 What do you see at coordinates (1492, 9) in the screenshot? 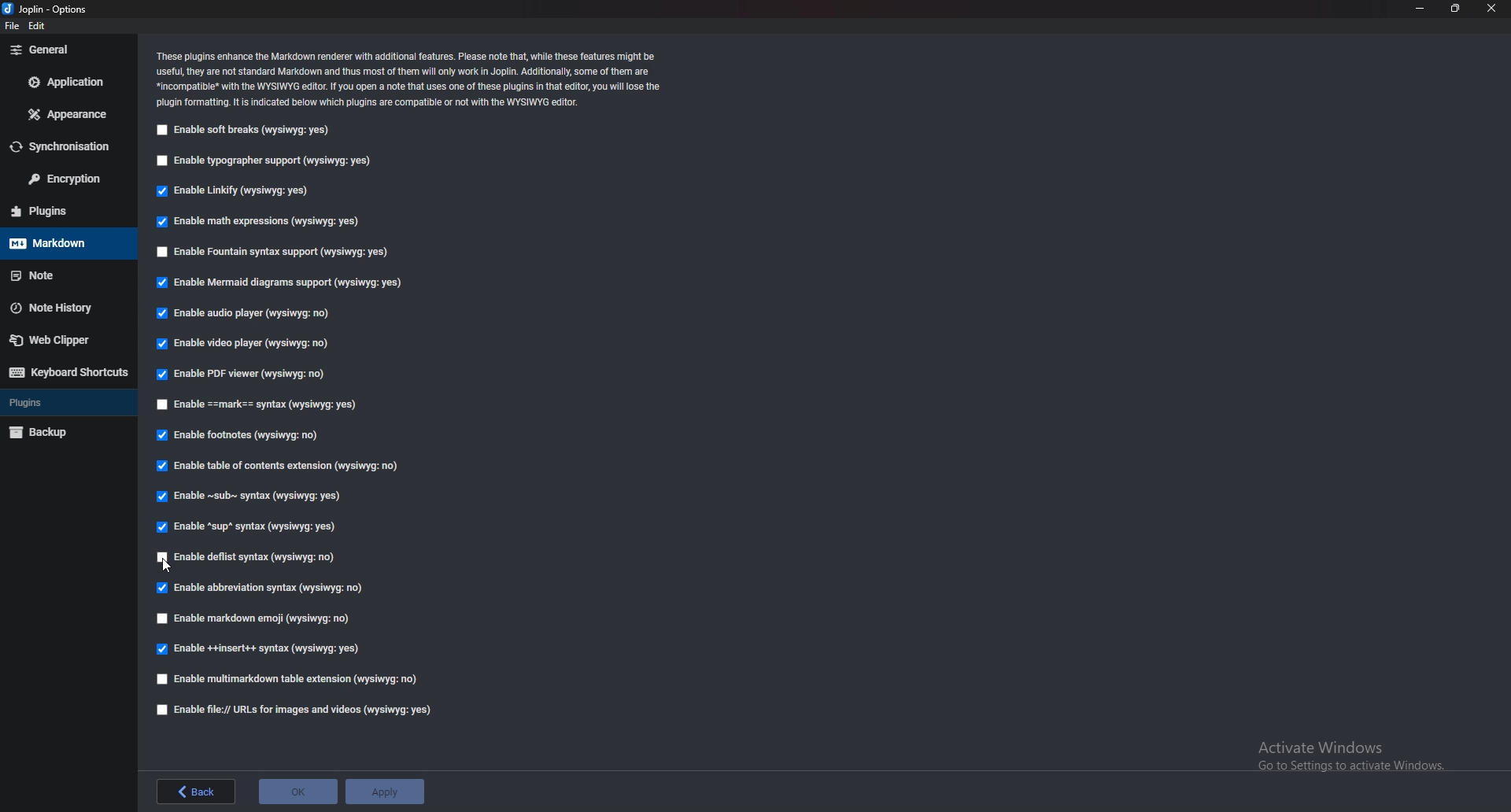
I see `close` at bounding box center [1492, 9].